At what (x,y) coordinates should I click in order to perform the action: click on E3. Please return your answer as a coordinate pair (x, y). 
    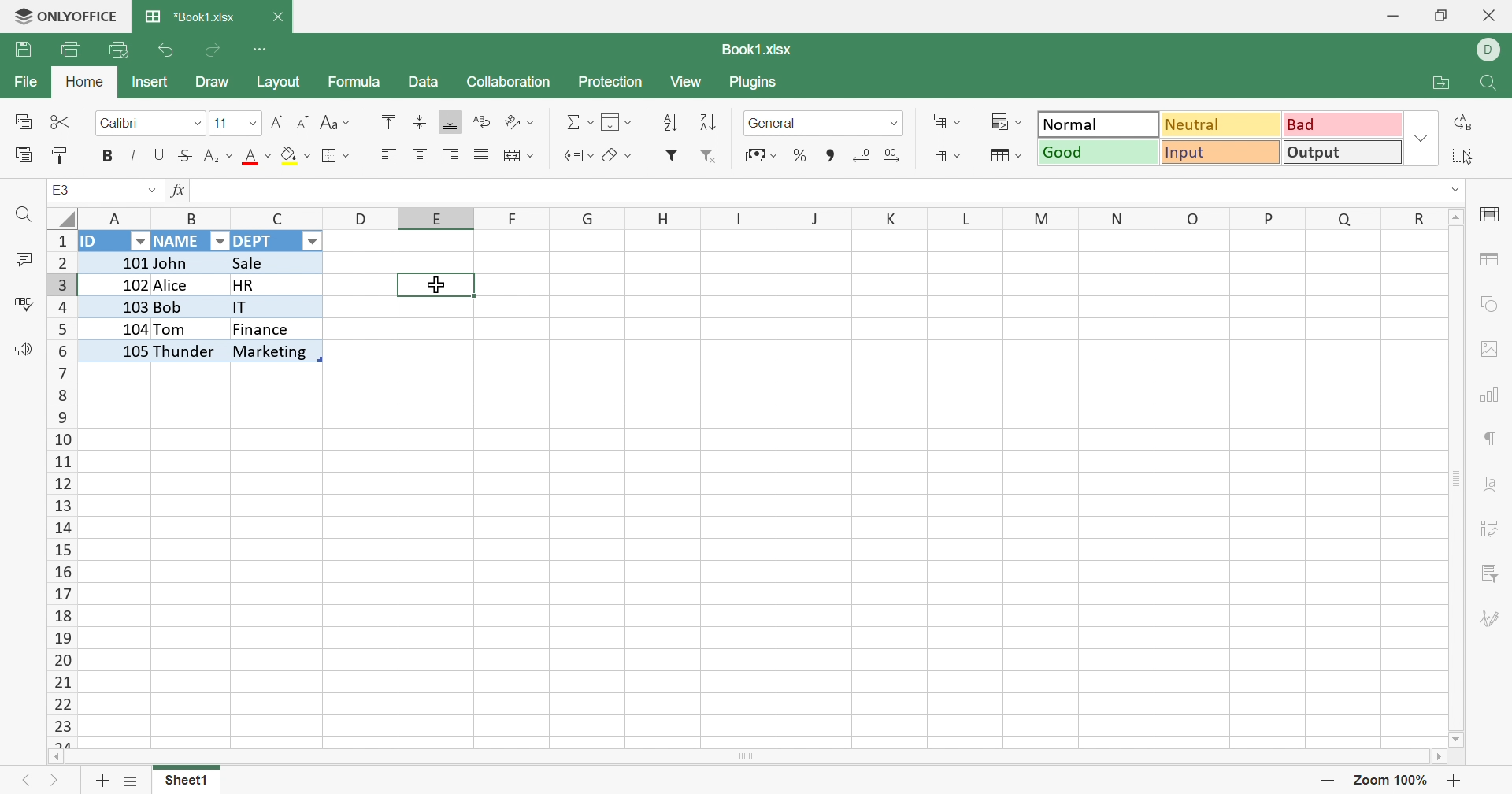
    Looking at the image, I should click on (56, 188).